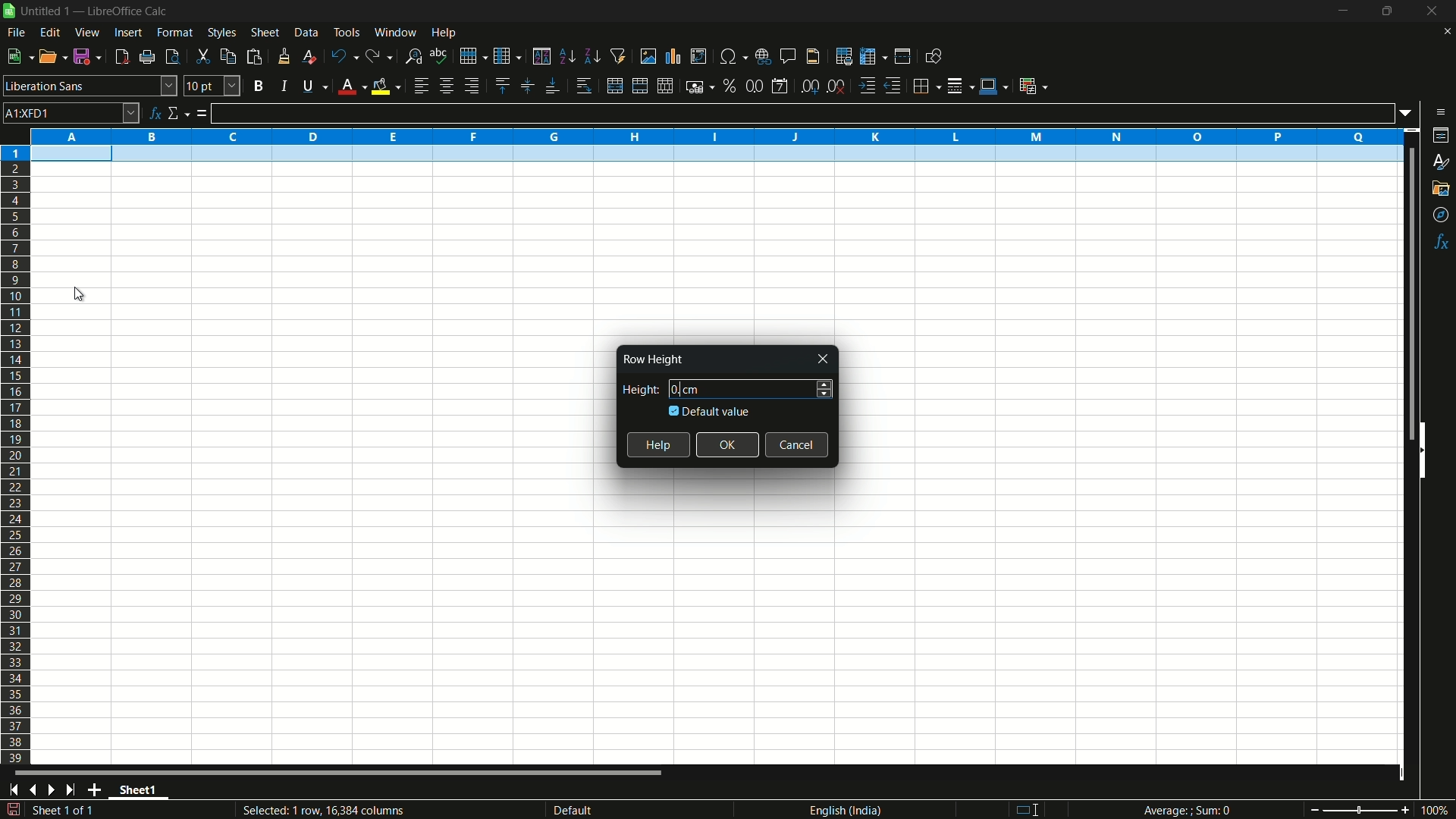 This screenshot has height=819, width=1456. I want to click on copy, so click(227, 56).